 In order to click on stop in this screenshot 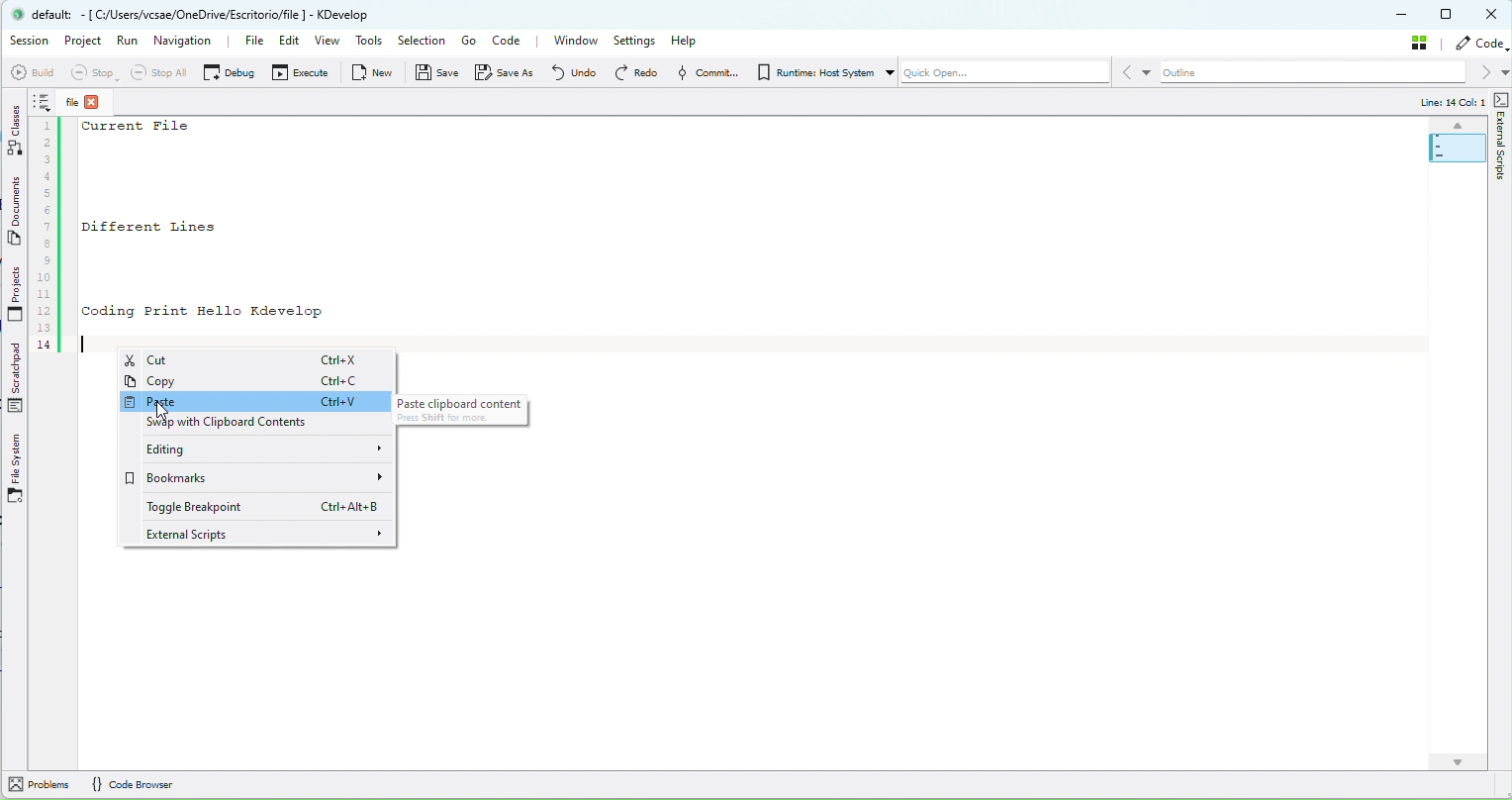, I will do `click(92, 73)`.